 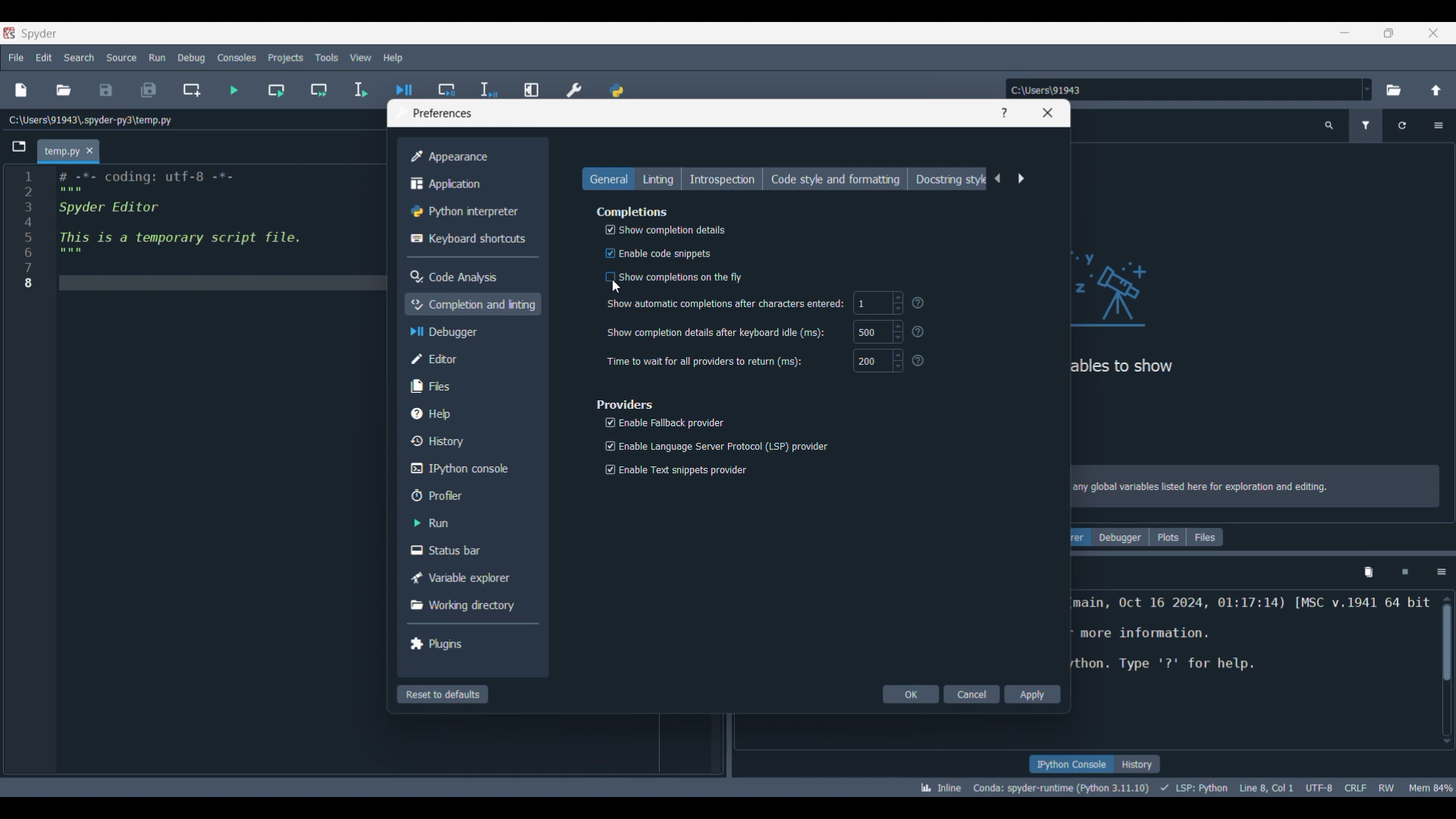 What do you see at coordinates (319, 90) in the screenshot?
I see `Run current cell and go to next` at bounding box center [319, 90].